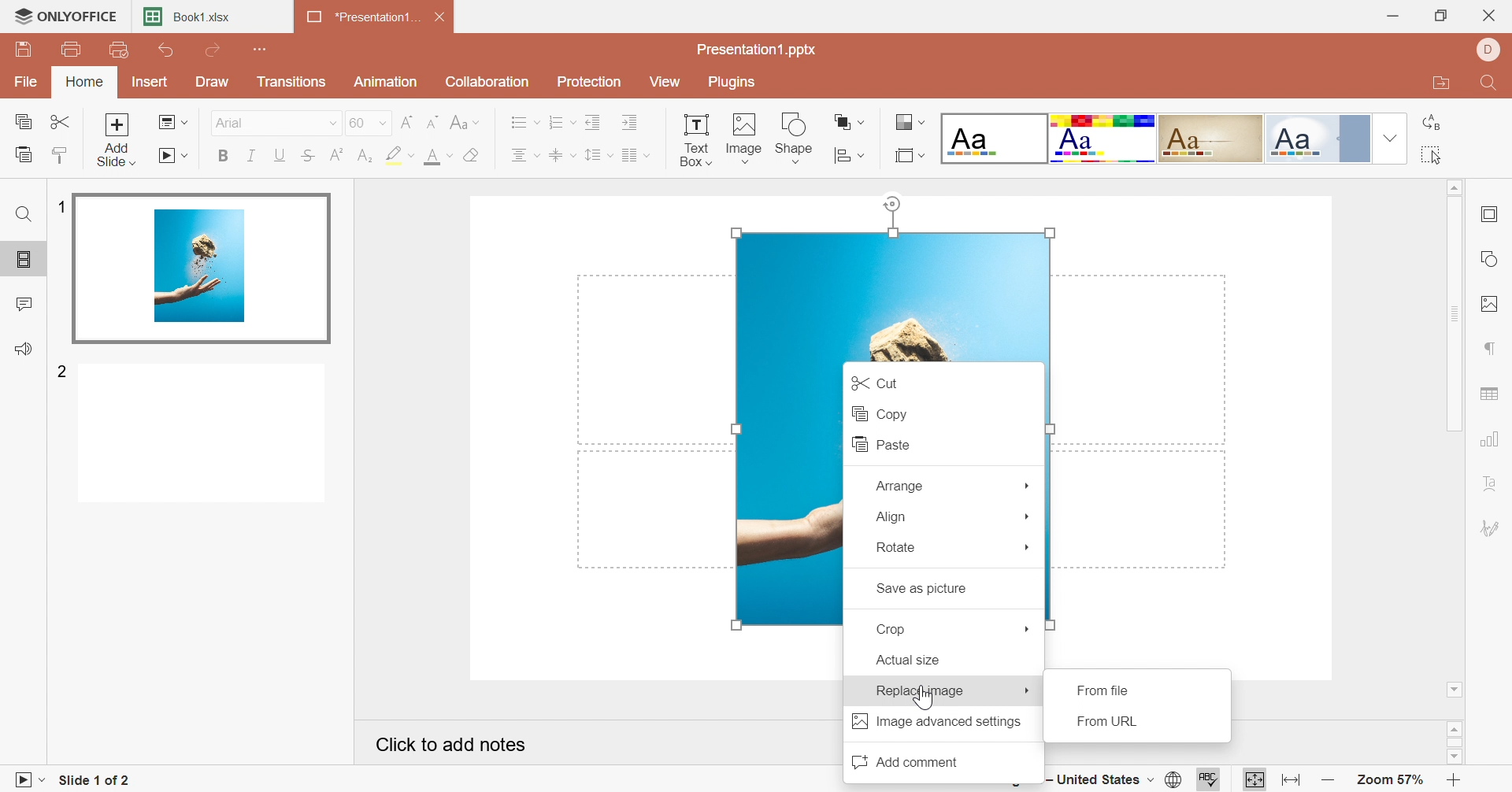  Describe the element at coordinates (599, 155) in the screenshot. I see `Line spacing` at that location.